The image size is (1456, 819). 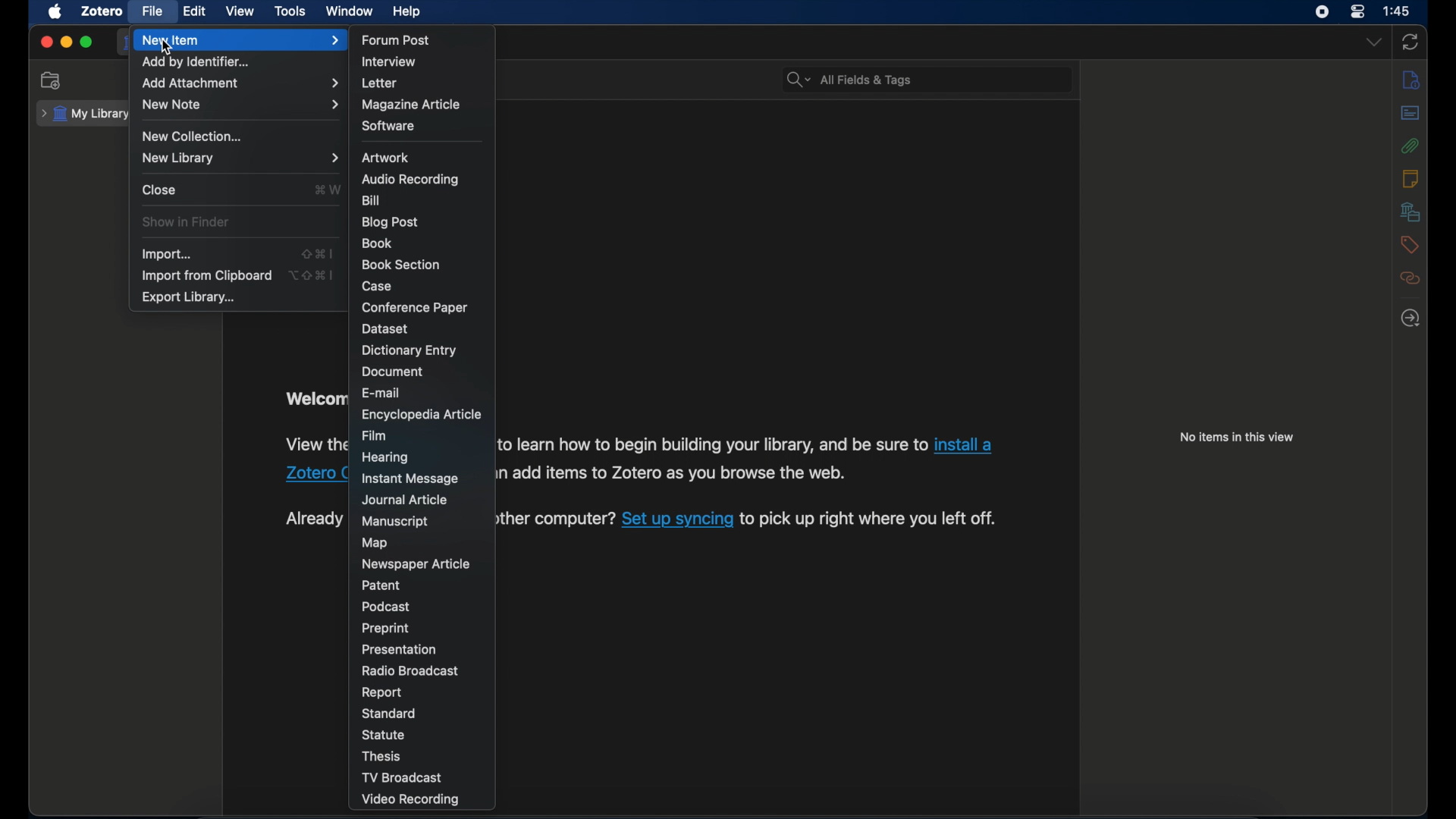 I want to click on bill, so click(x=372, y=201).